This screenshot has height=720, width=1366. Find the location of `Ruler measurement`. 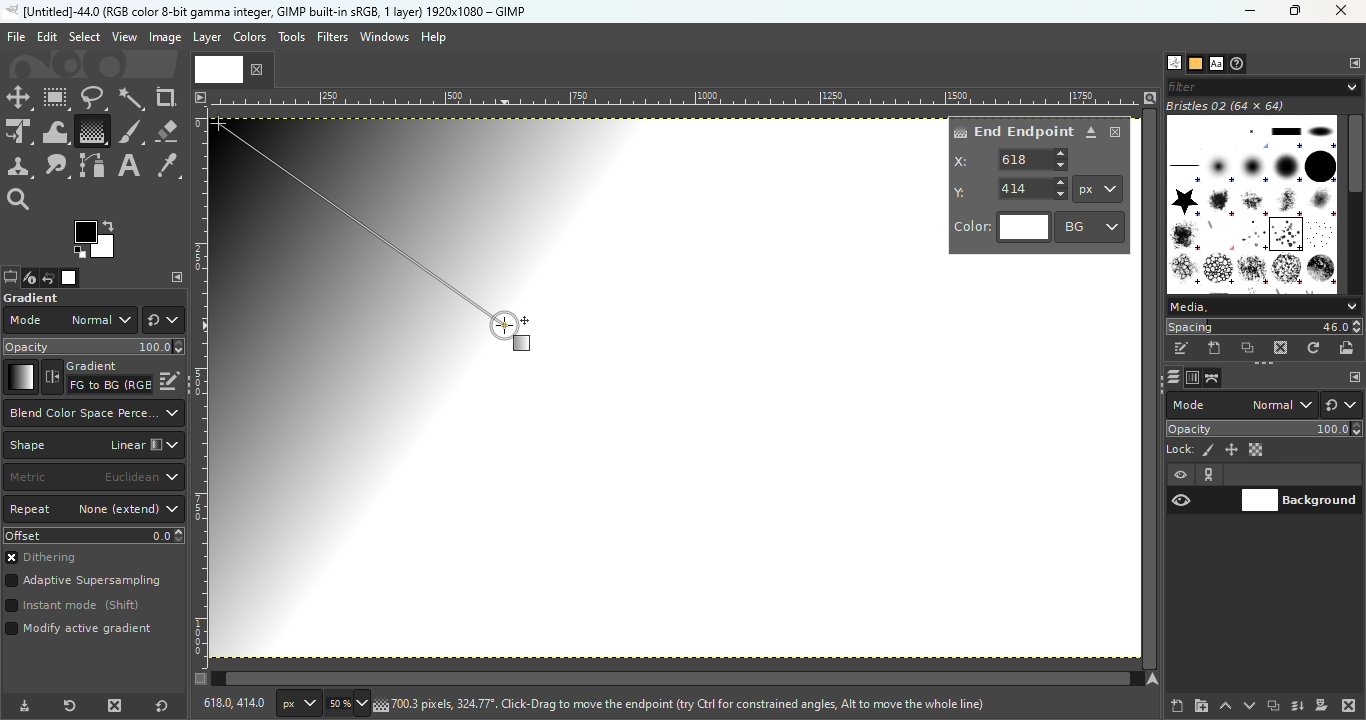

Ruler measurement is located at coordinates (295, 704).